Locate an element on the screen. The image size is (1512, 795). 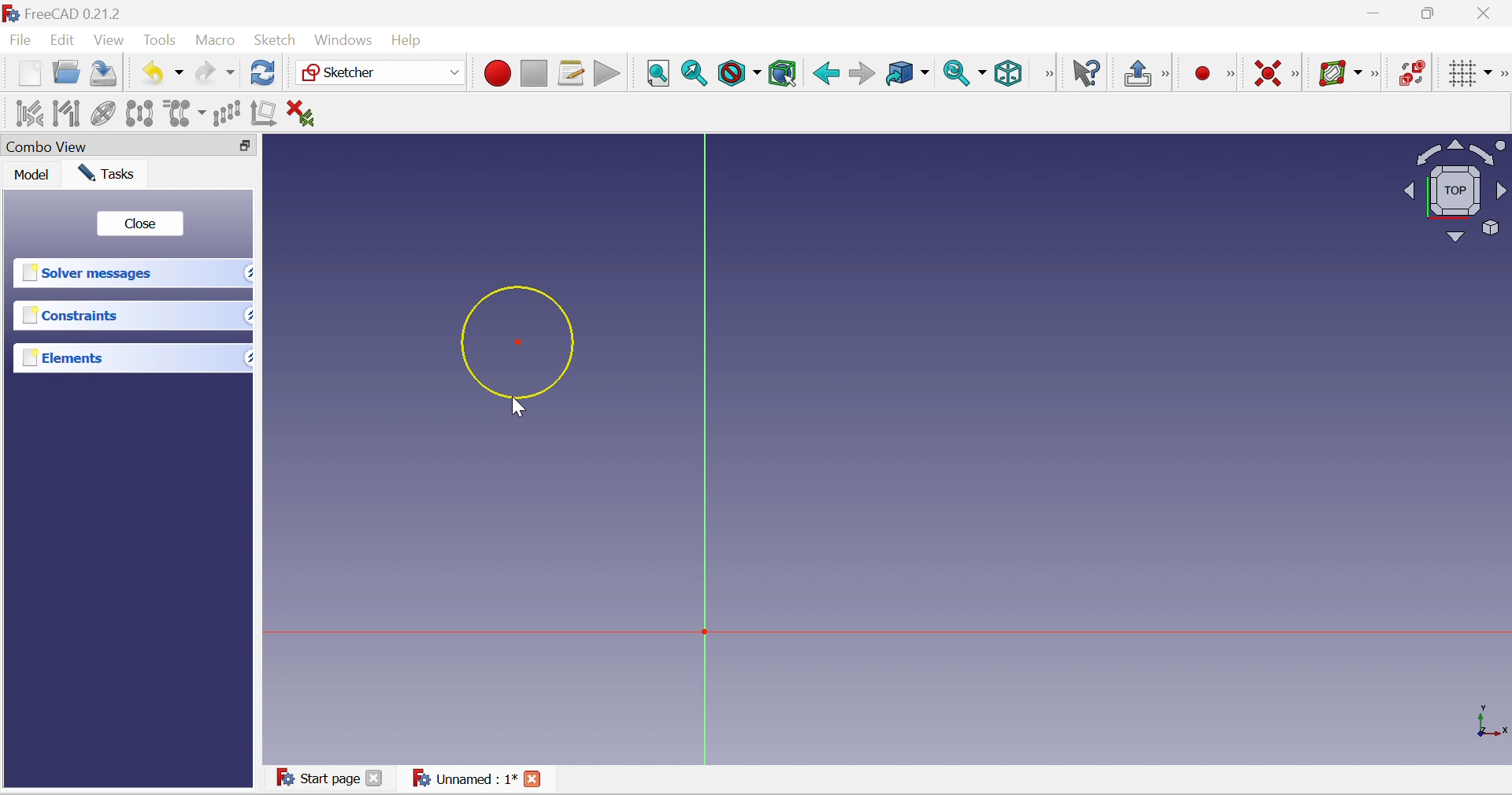
Sketcher B-spline tools is located at coordinates (1378, 74).